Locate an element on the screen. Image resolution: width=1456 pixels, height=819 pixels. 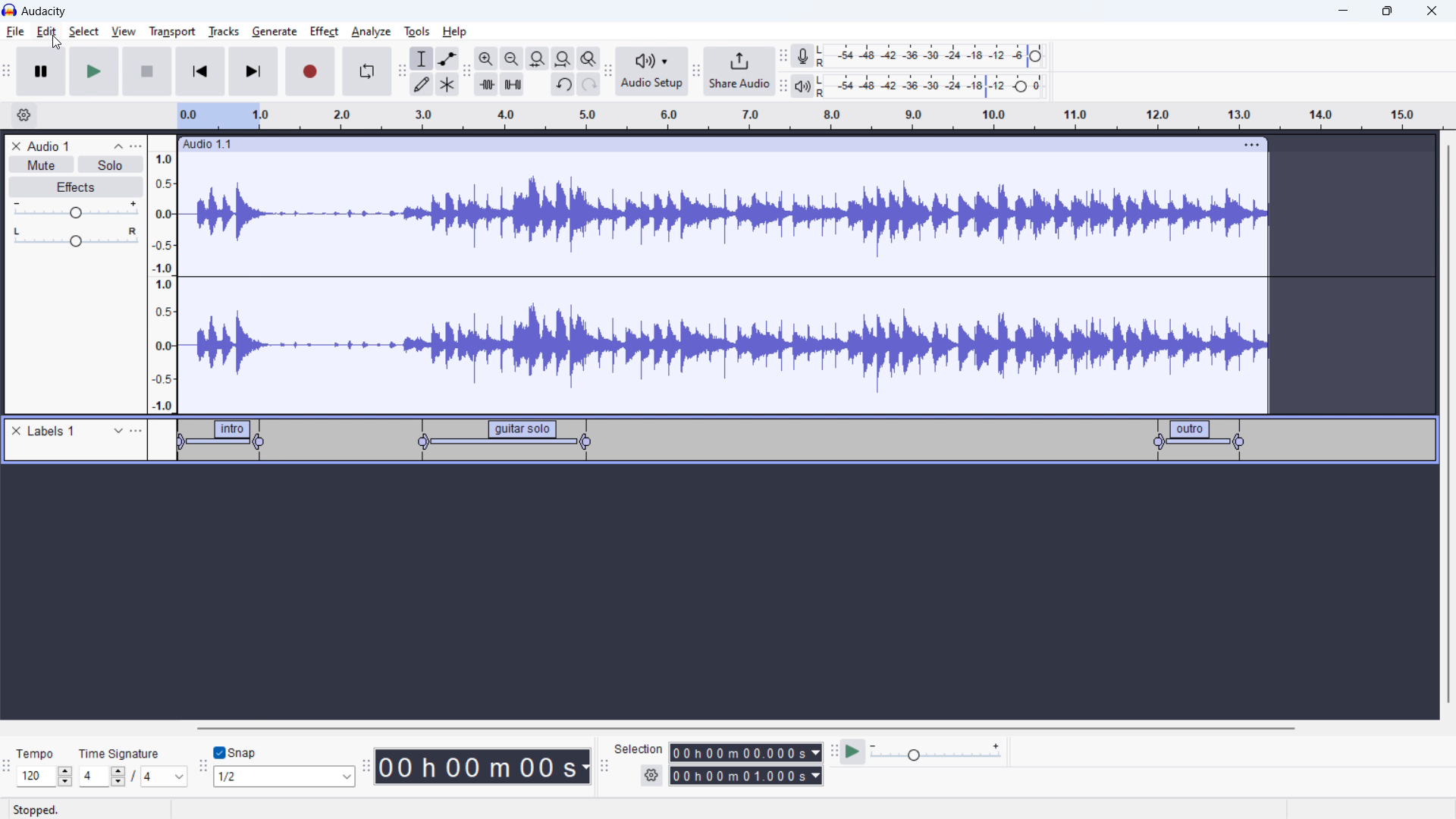
horizontal scrollbar is located at coordinates (748, 728).